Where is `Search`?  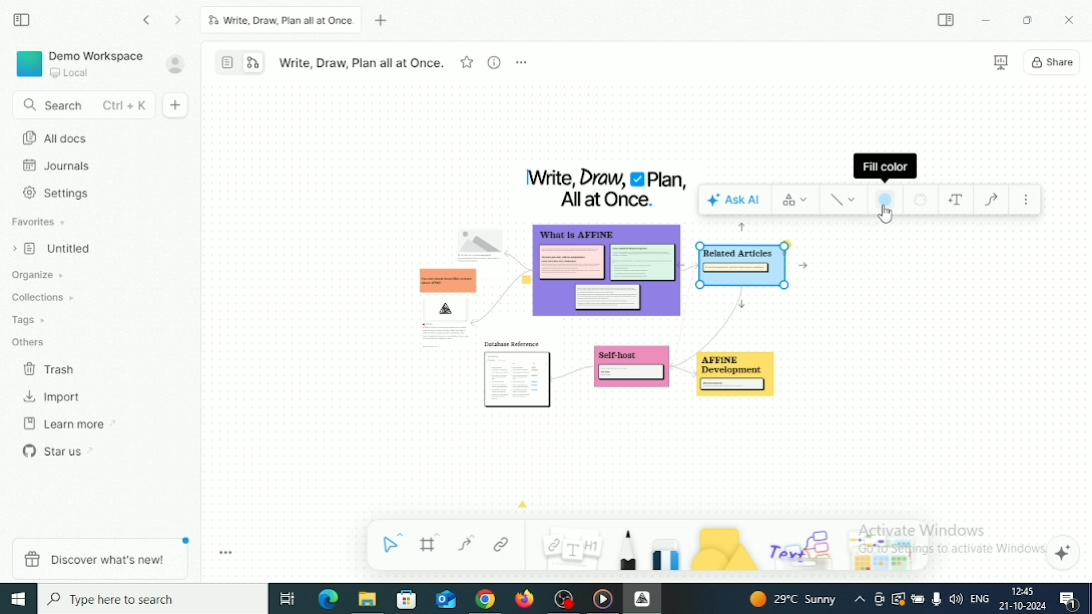
Search is located at coordinates (81, 106).